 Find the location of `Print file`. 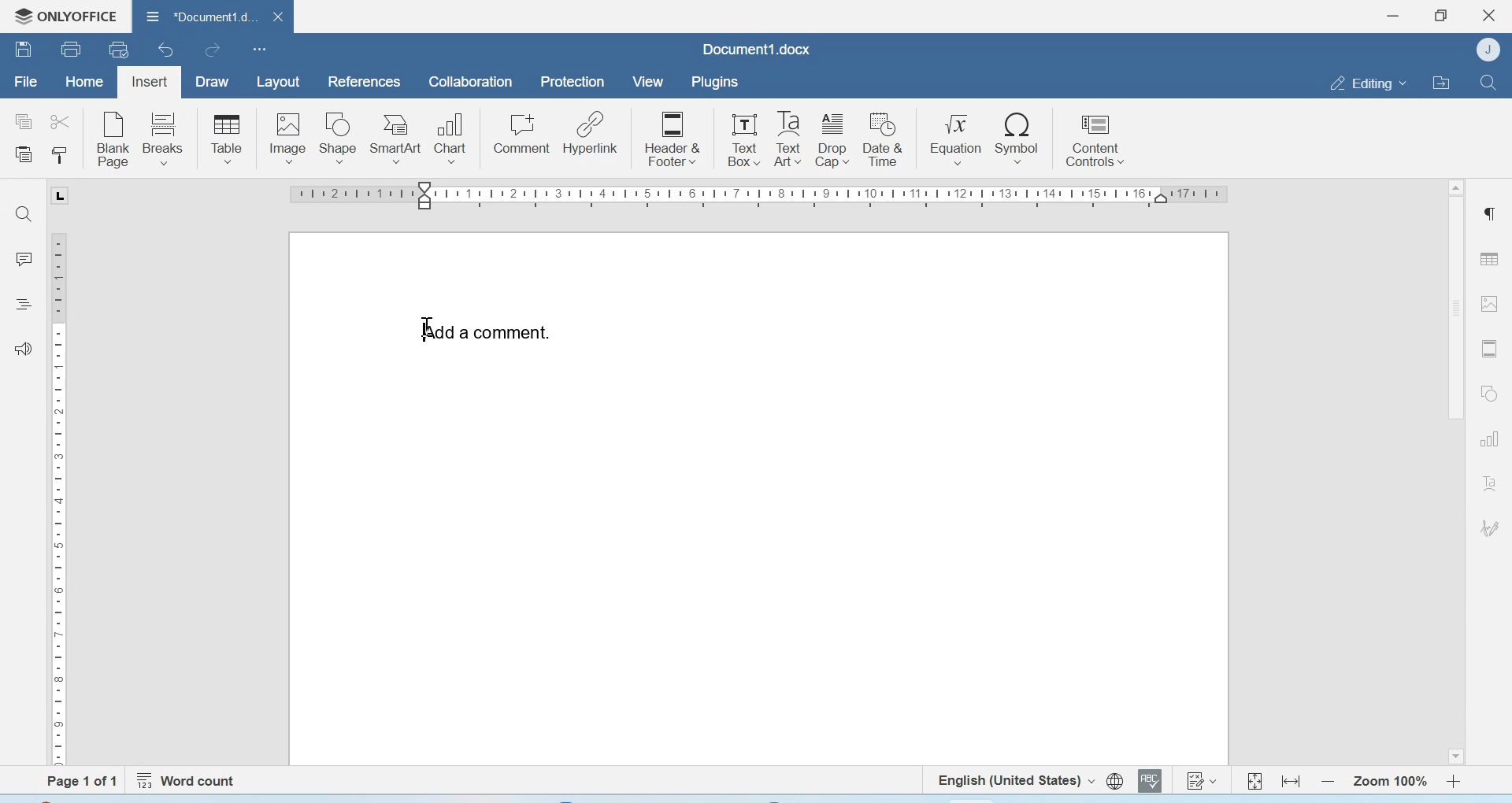

Print file is located at coordinates (73, 49).